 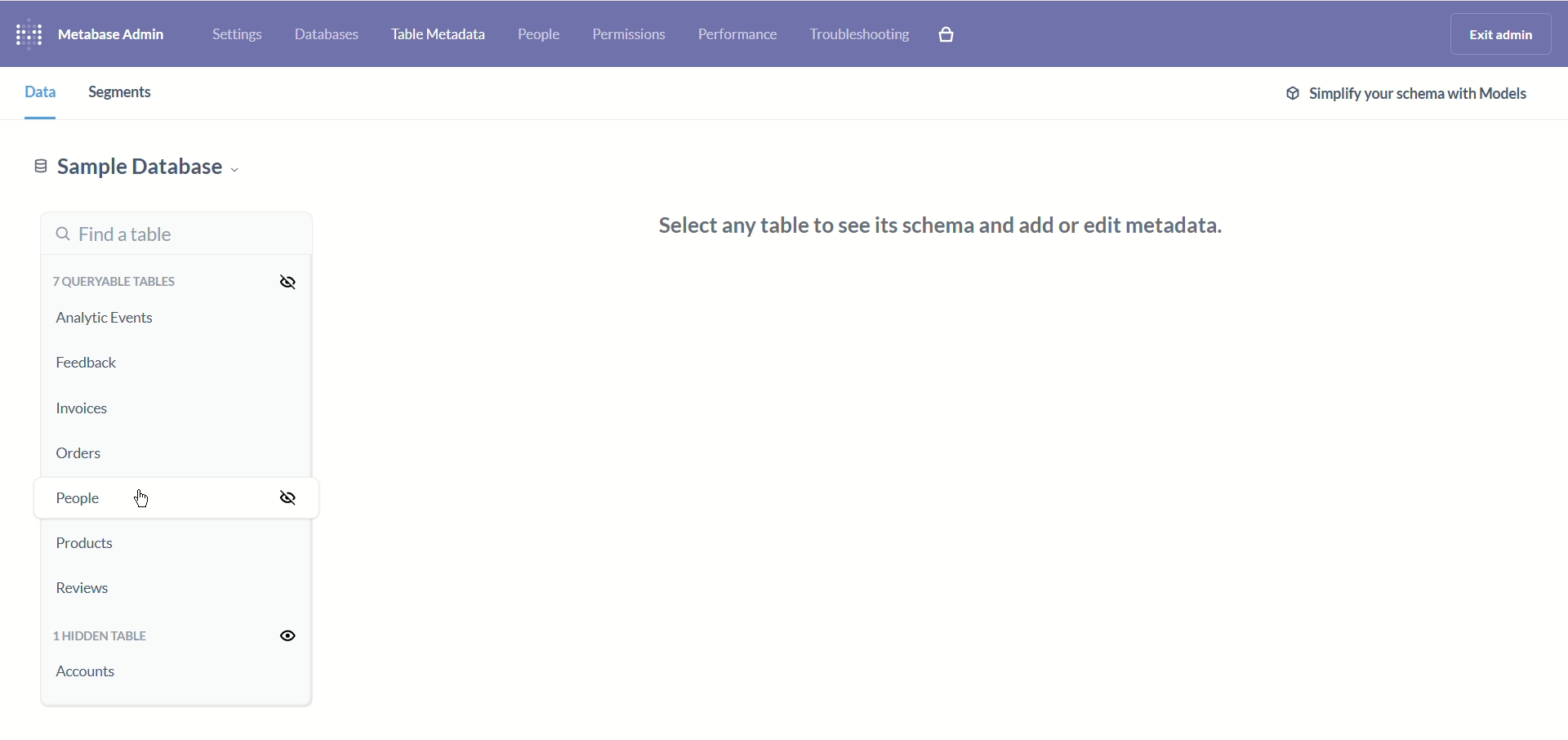 I want to click on People, so click(x=542, y=36).